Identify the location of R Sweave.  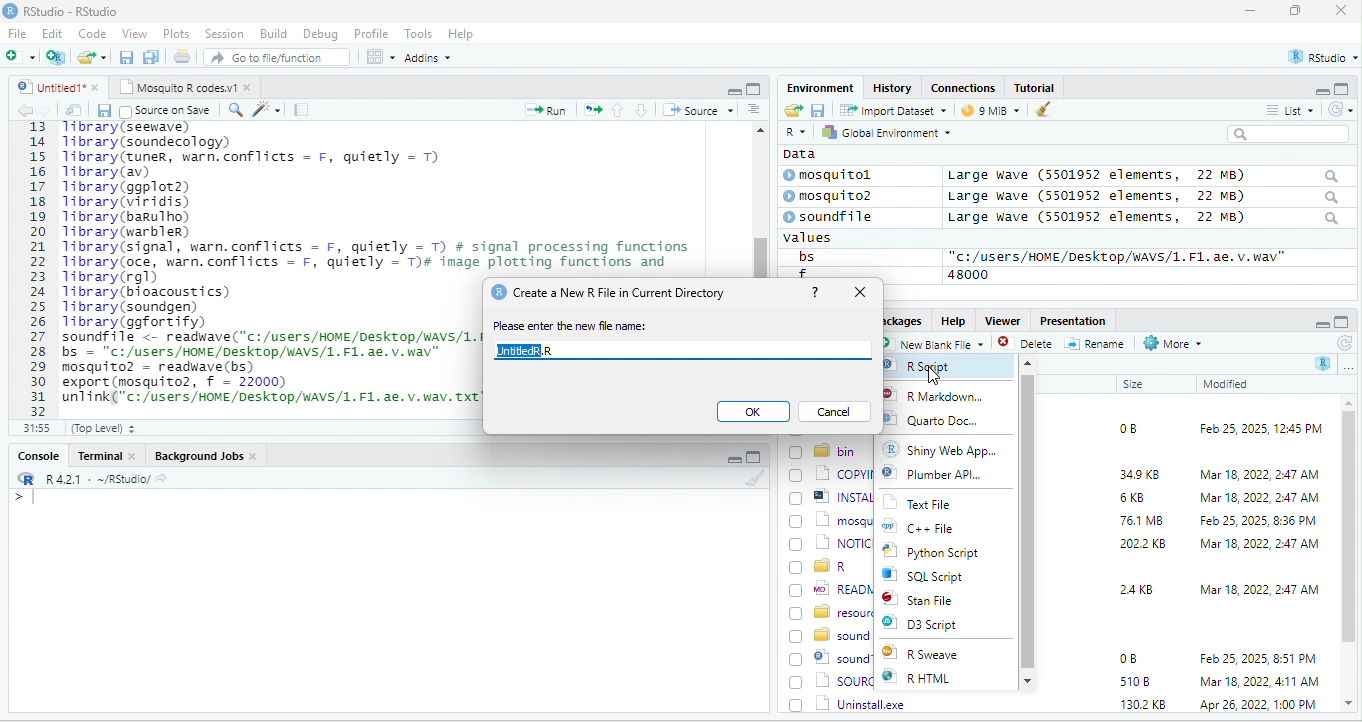
(937, 655).